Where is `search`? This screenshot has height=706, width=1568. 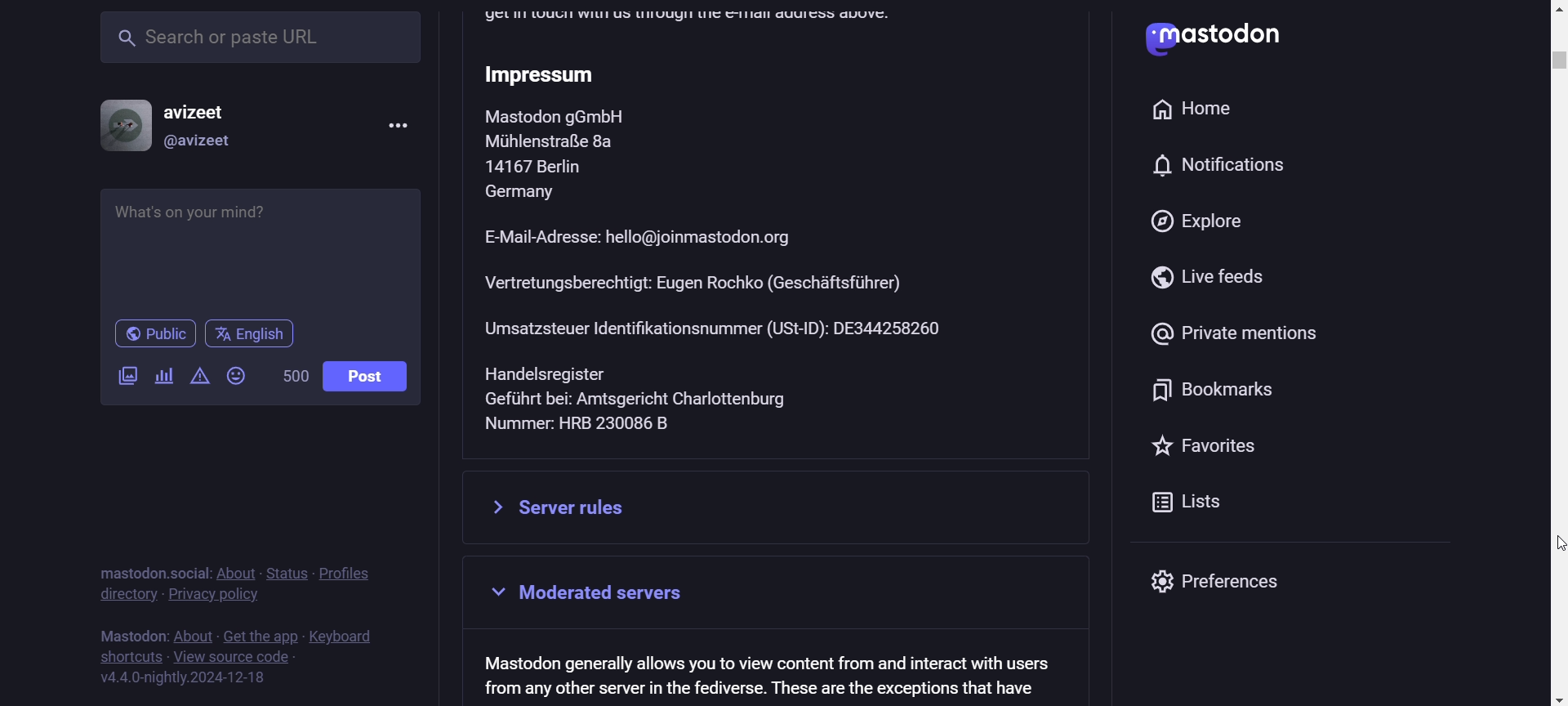
search is located at coordinates (261, 40).